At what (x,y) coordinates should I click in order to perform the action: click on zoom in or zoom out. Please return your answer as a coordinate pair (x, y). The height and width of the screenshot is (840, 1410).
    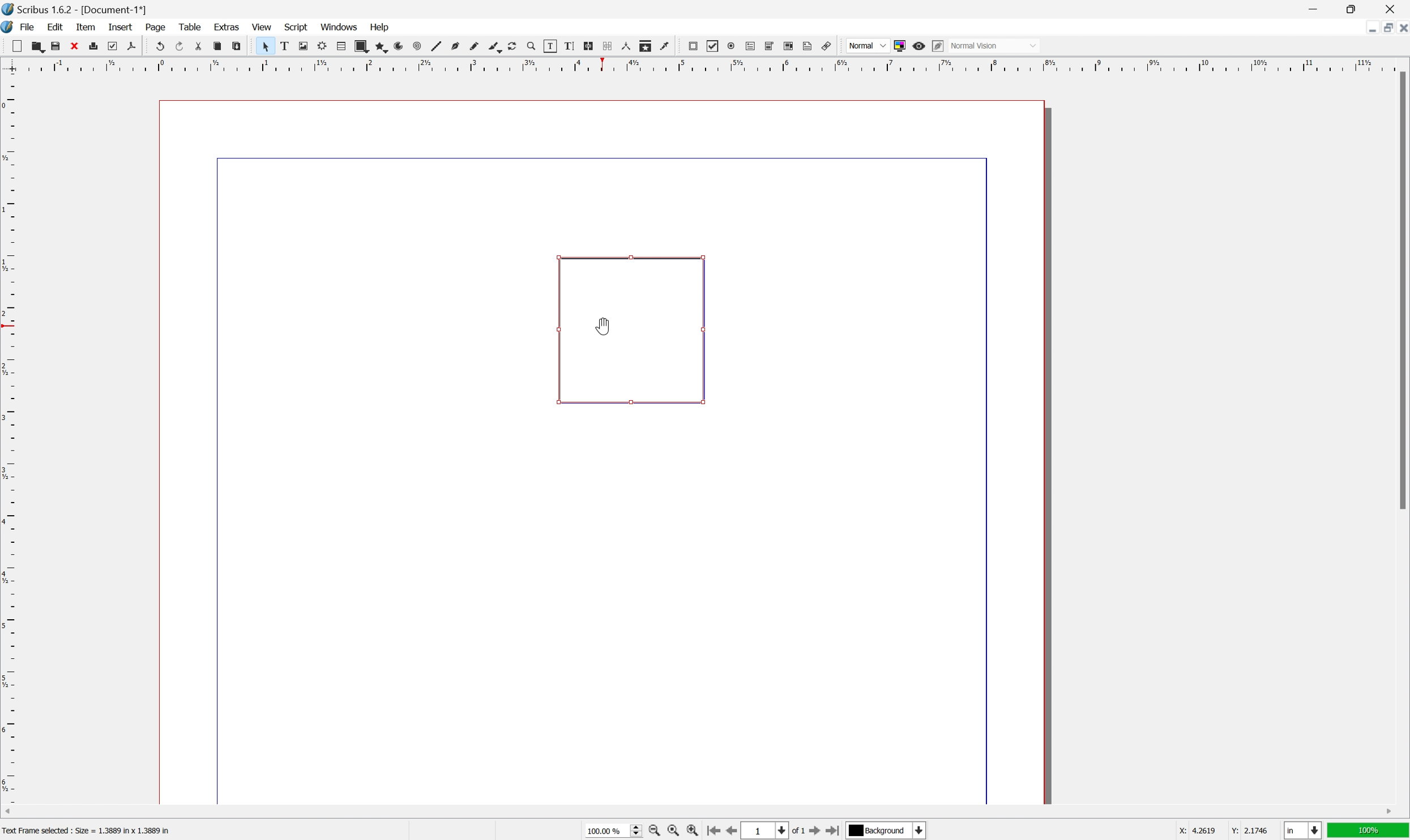
    Looking at the image, I should click on (532, 46).